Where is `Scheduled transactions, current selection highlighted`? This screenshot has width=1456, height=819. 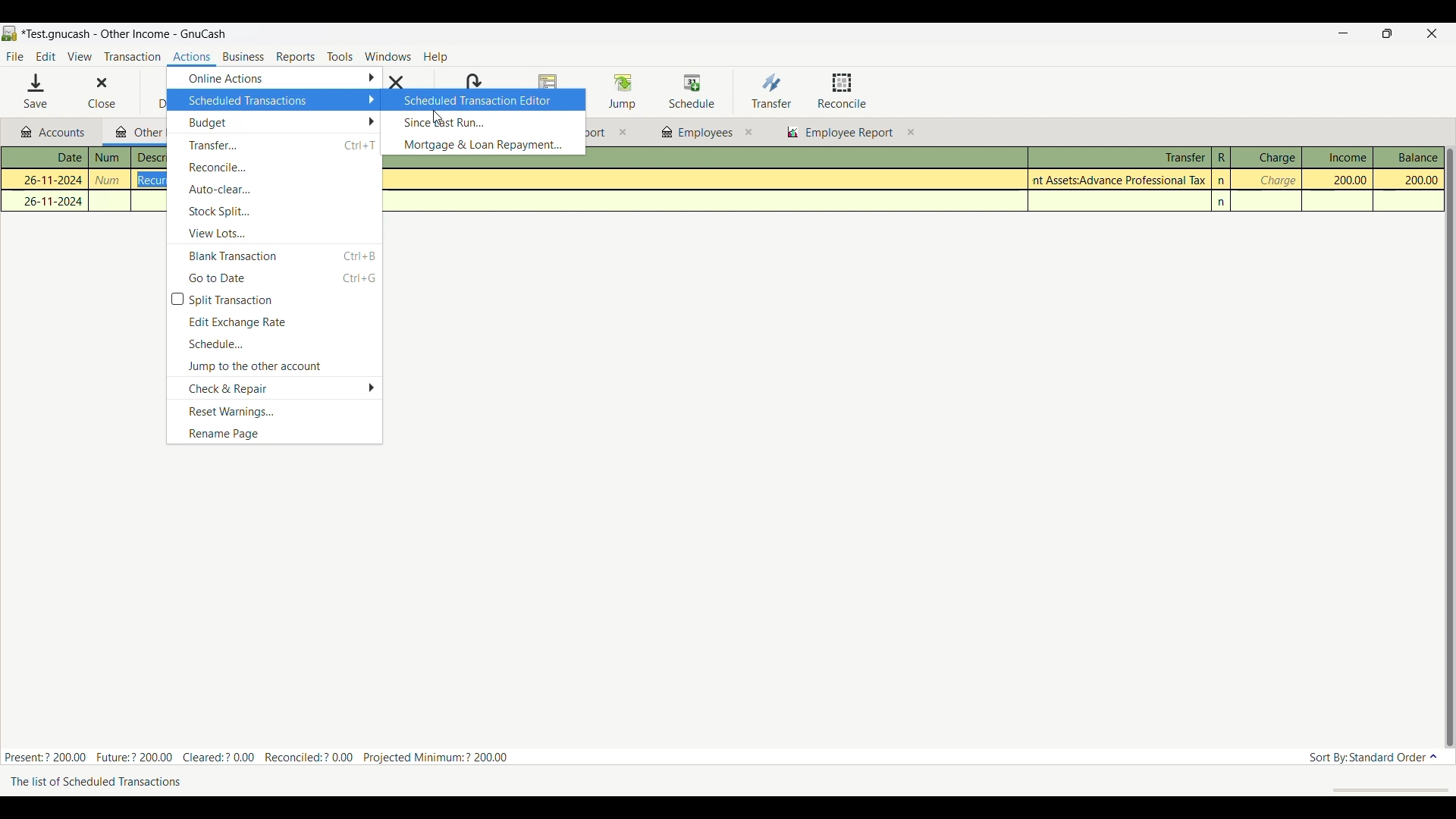 Scheduled transactions, current selection highlighted is located at coordinates (273, 100).